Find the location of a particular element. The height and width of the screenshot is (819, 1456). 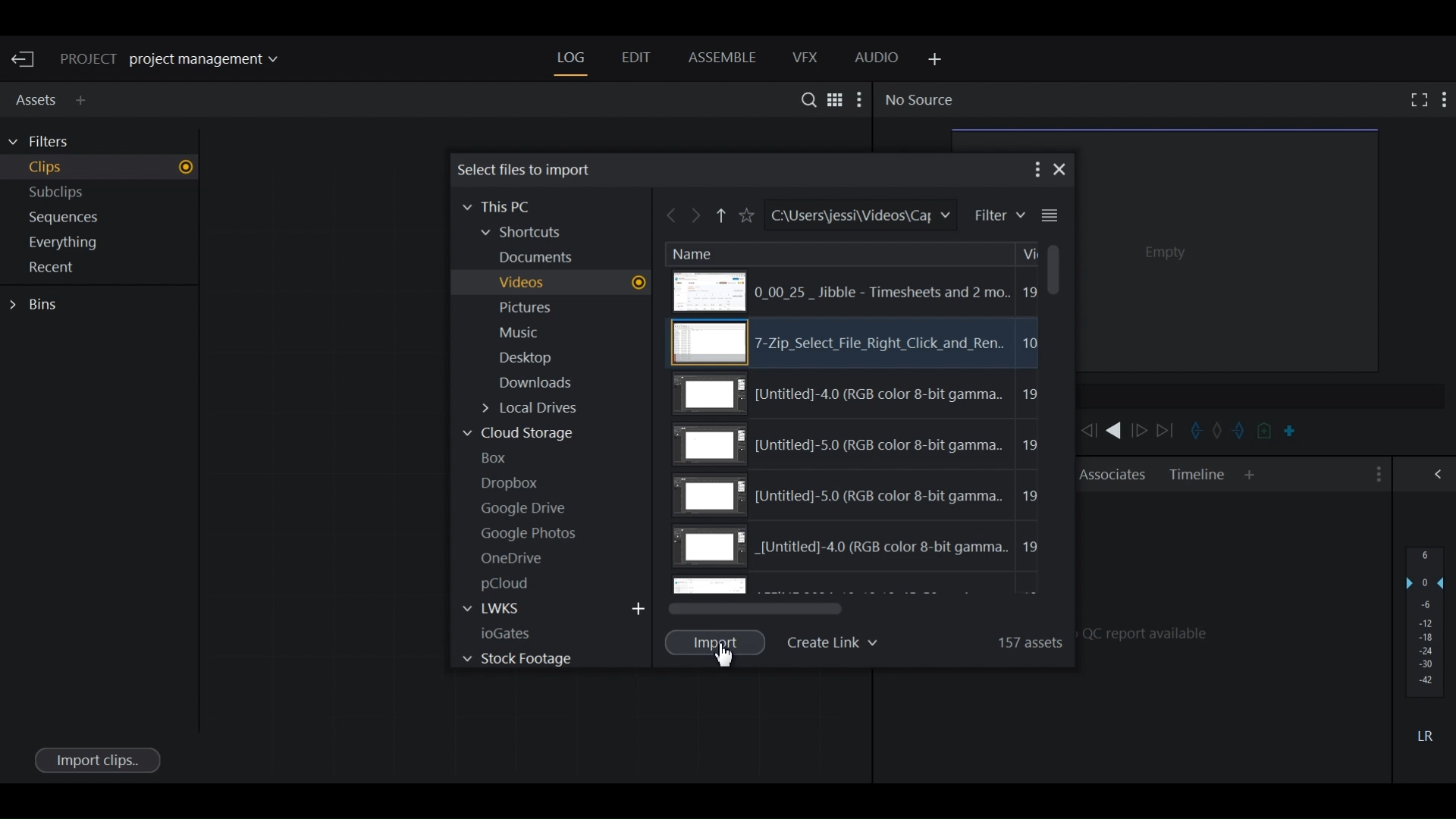

Move Forward is located at coordinates (1170, 431).